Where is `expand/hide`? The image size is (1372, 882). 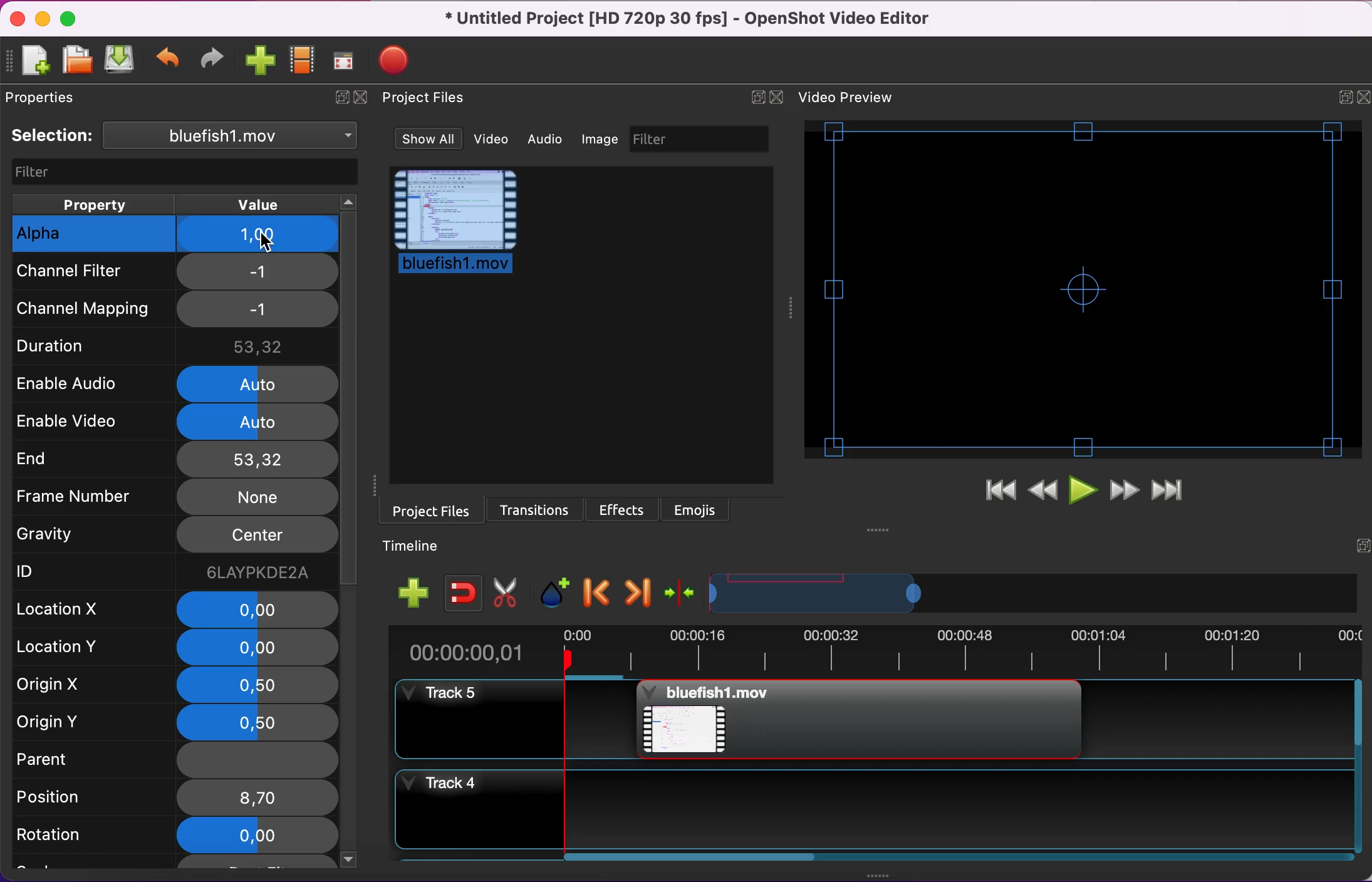 expand/hide is located at coordinates (758, 95).